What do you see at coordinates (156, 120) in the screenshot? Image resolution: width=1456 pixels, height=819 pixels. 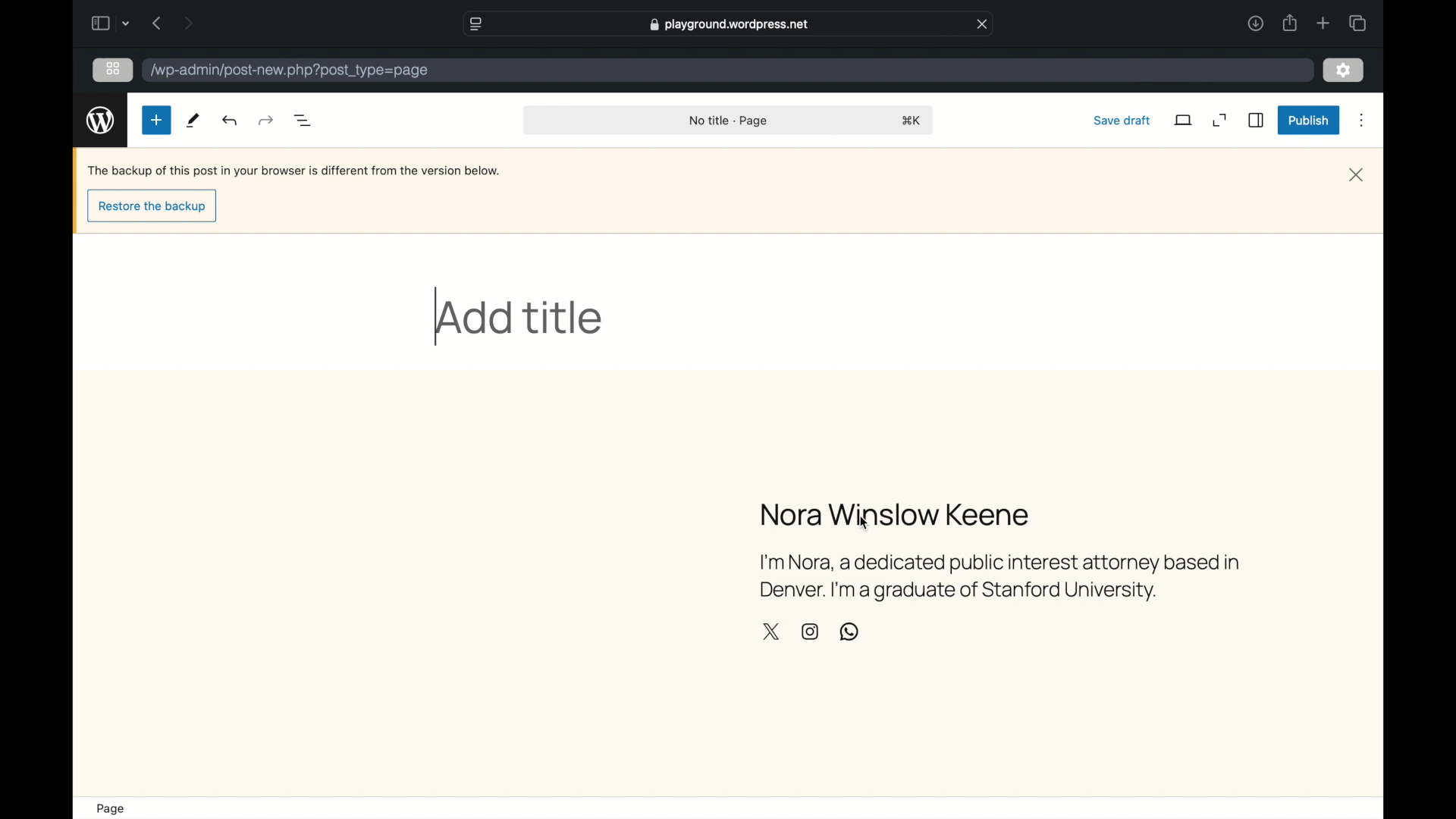 I see `new` at bounding box center [156, 120].